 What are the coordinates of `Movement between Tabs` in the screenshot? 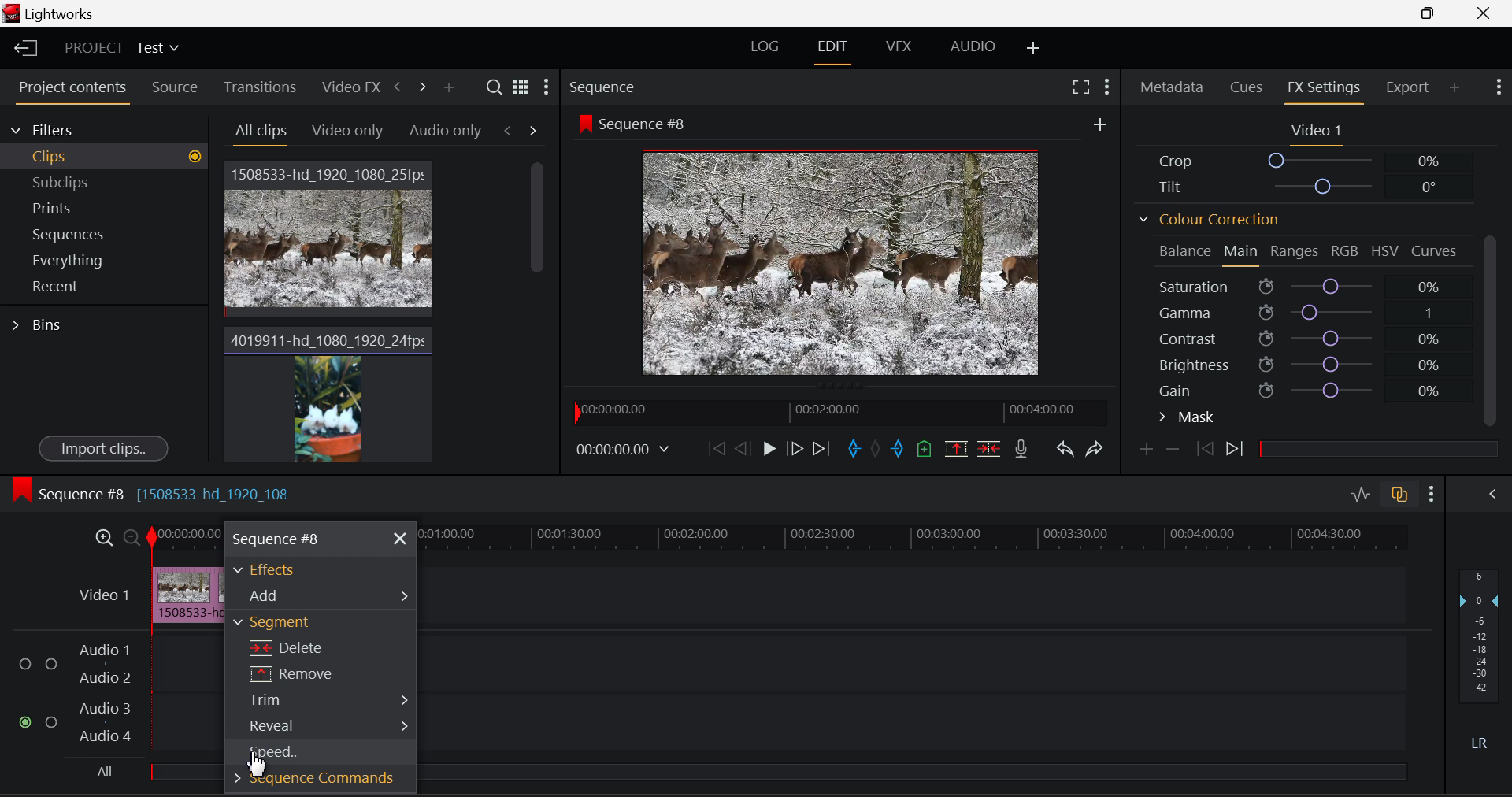 It's located at (521, 131).